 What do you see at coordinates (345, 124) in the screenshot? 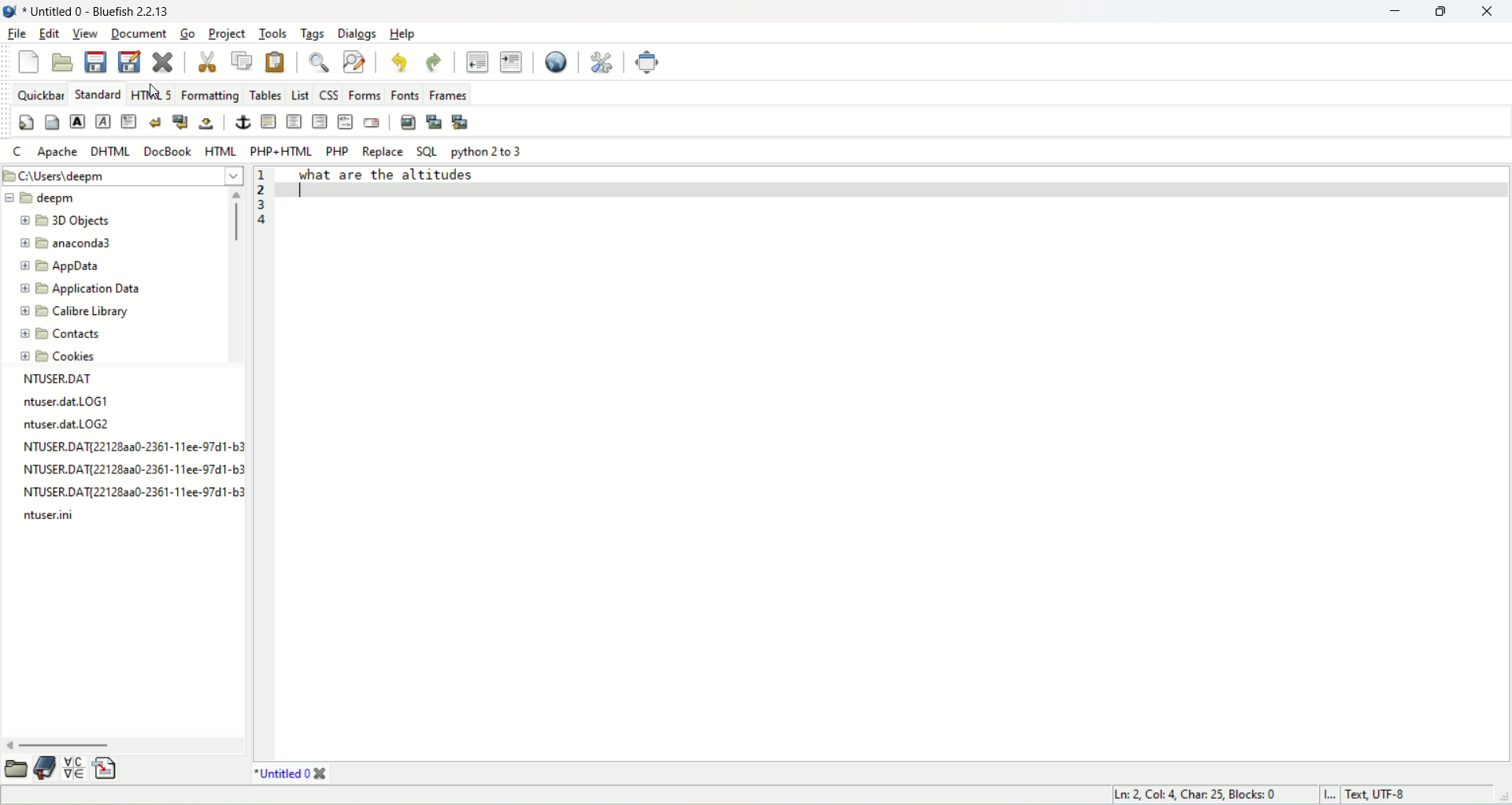
I see `HTML comment` at bounding box center [345, 124].